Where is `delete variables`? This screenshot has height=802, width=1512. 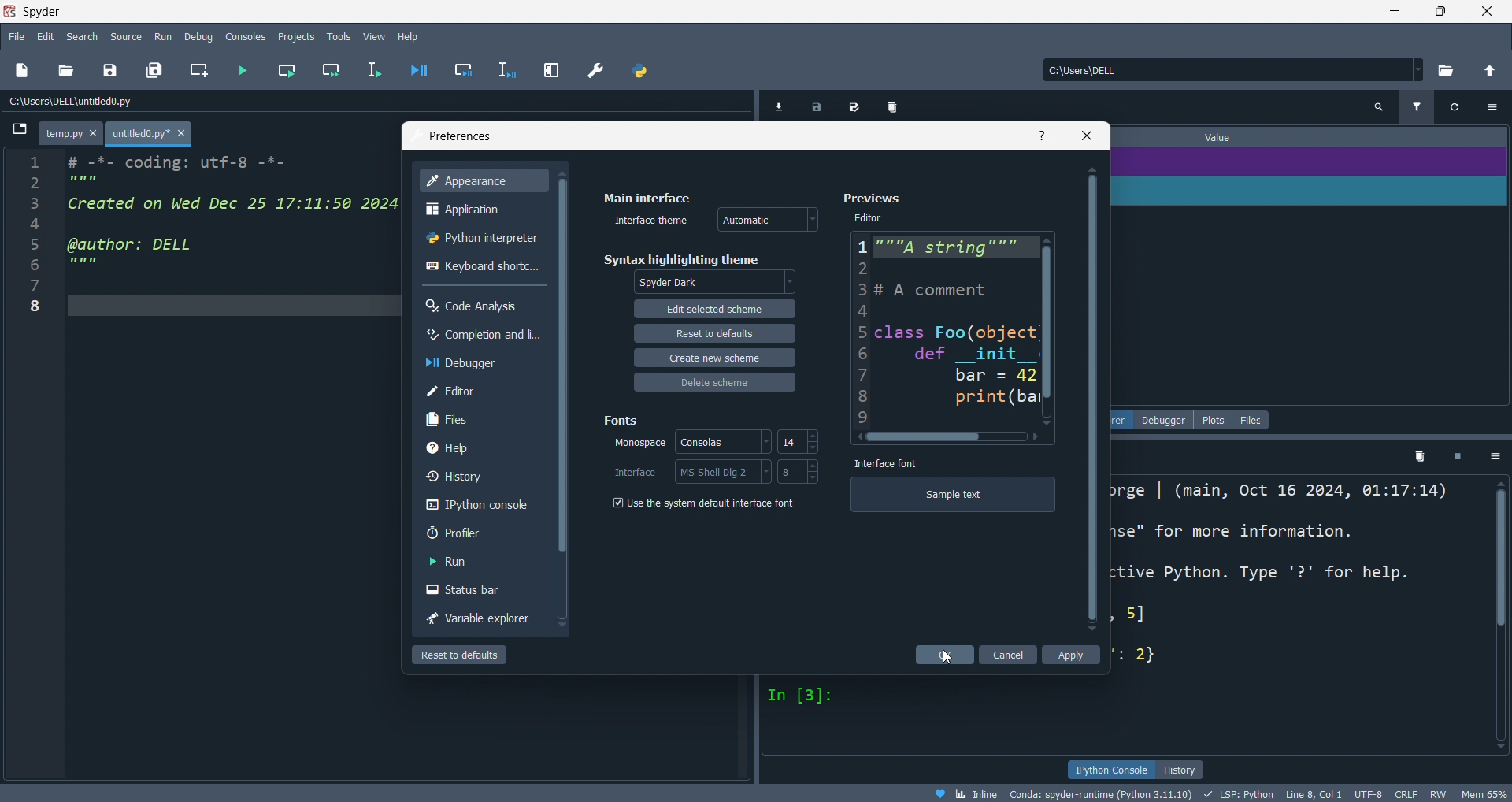
delete variables is located at coordinates (1419, 456).